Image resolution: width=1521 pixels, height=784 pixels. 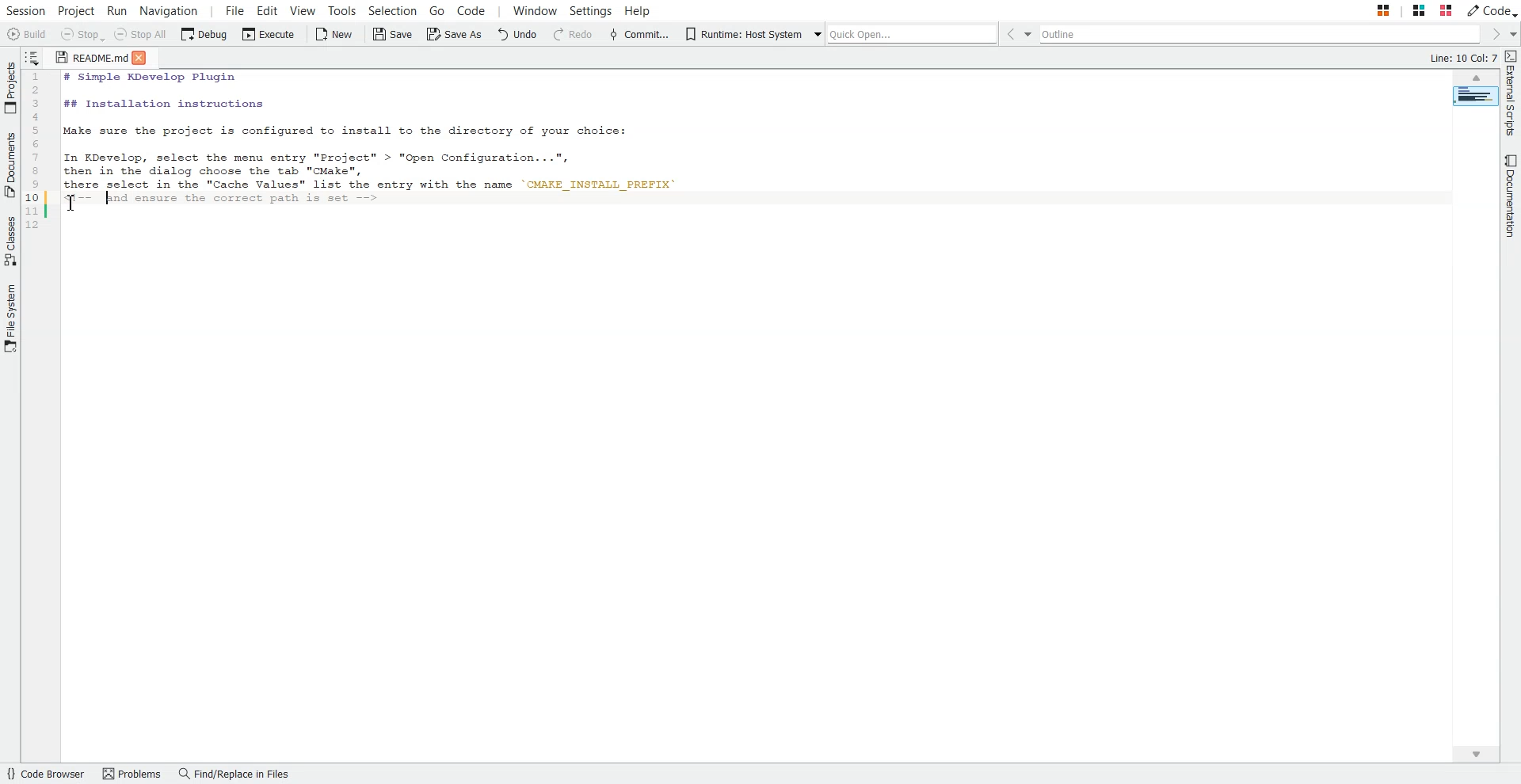 What do you see at coordinates (592, 10) in the screenshot?
I see `Settings` at bounding box center [592, 10].